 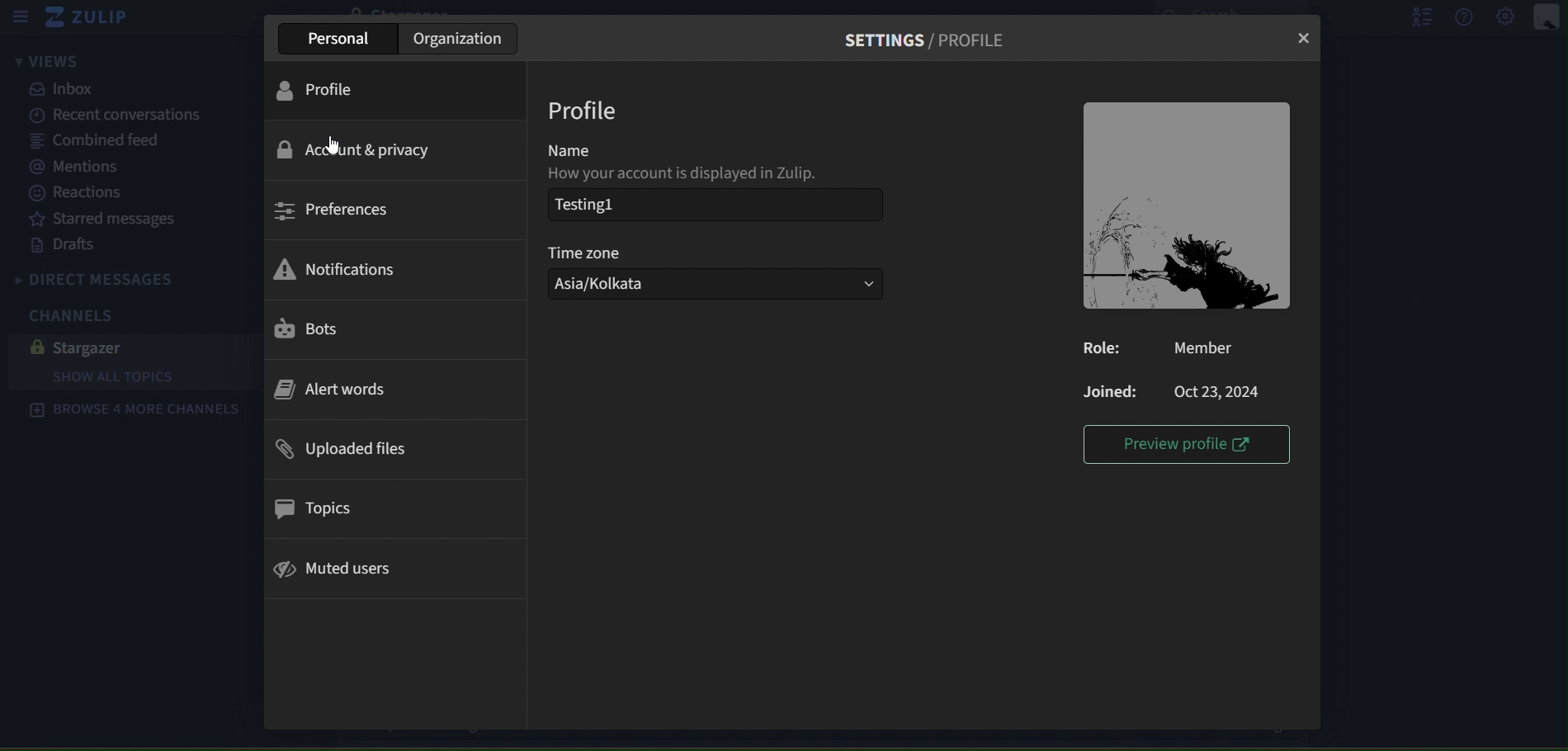 I want to click on organization, so click(x=460, y=38).